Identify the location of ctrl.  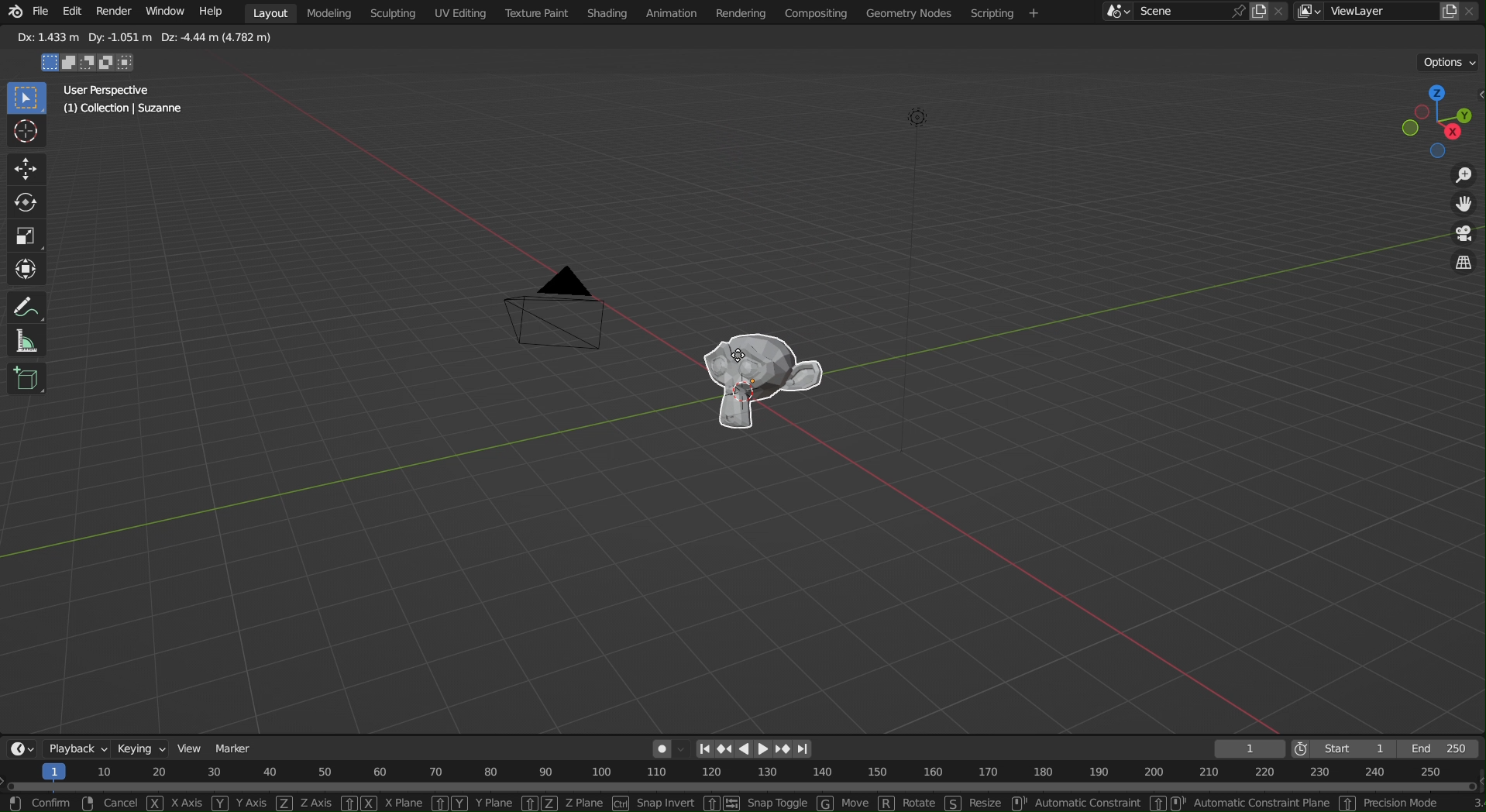
(621, 803).